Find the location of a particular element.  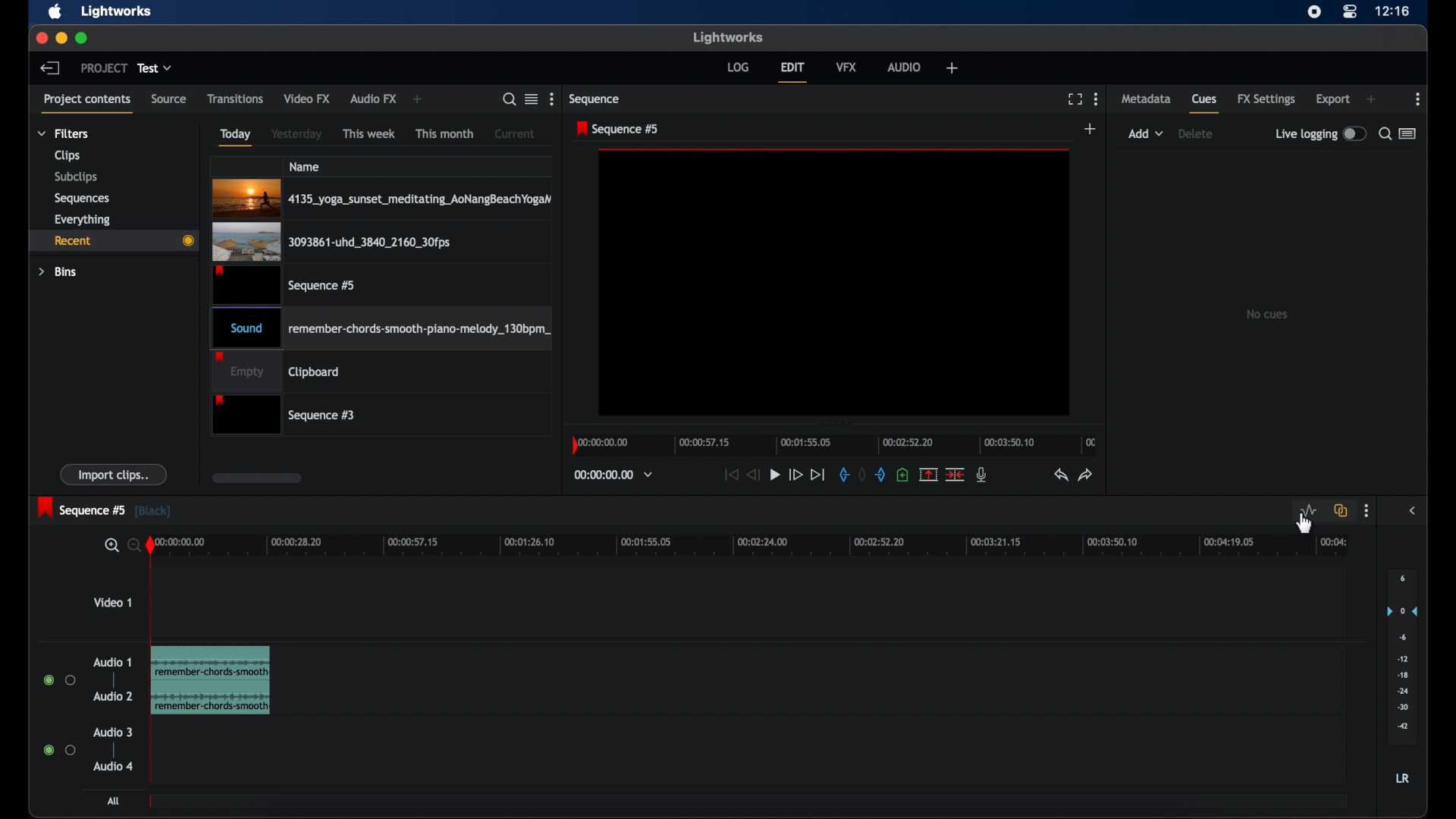

subclips is located at coordinates (77, 177).